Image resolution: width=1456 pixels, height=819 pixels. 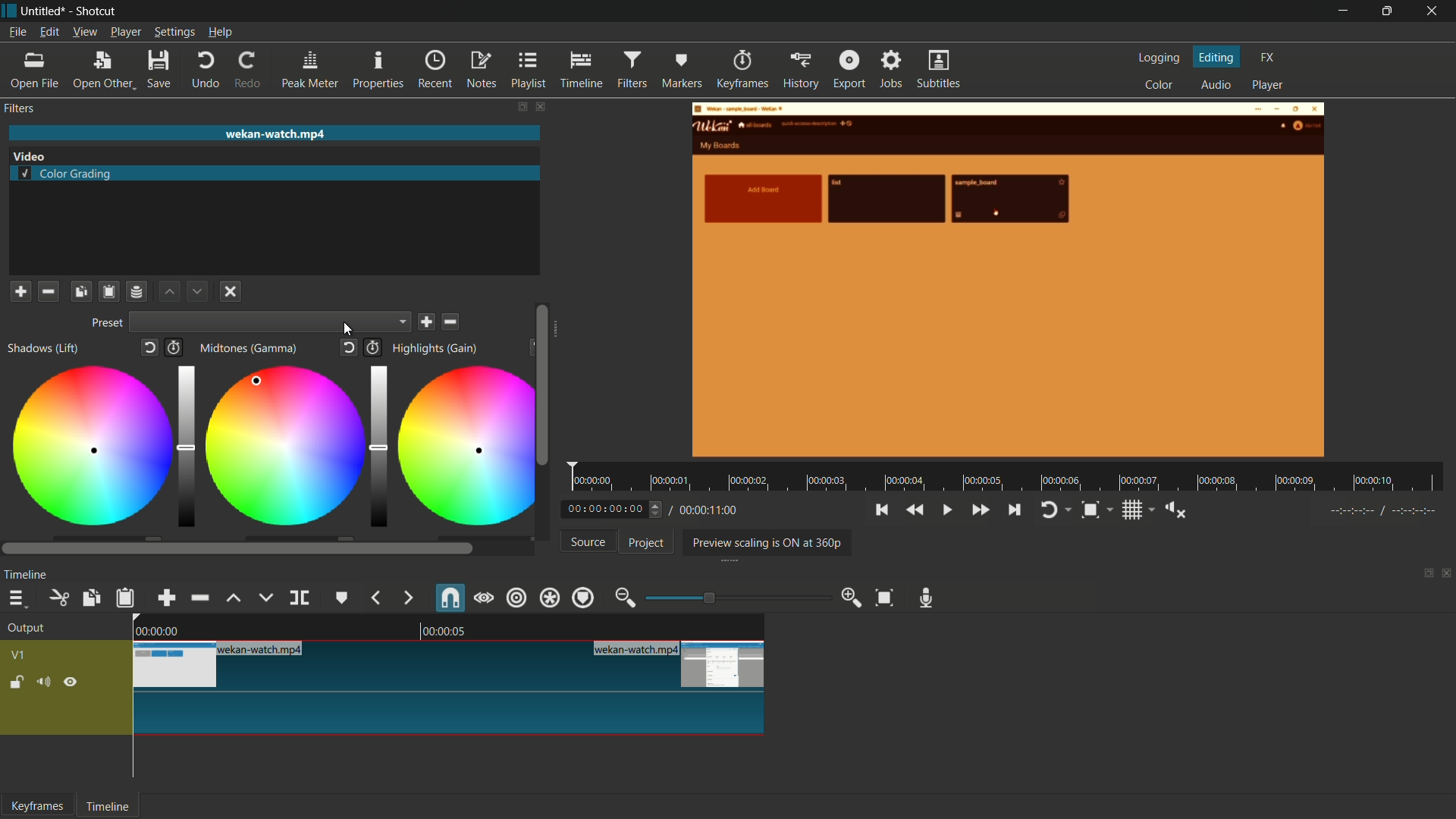 What do you see at coordinates (61, 598) in the screenshot?
I see `cut` at bounding box center [61, 598].